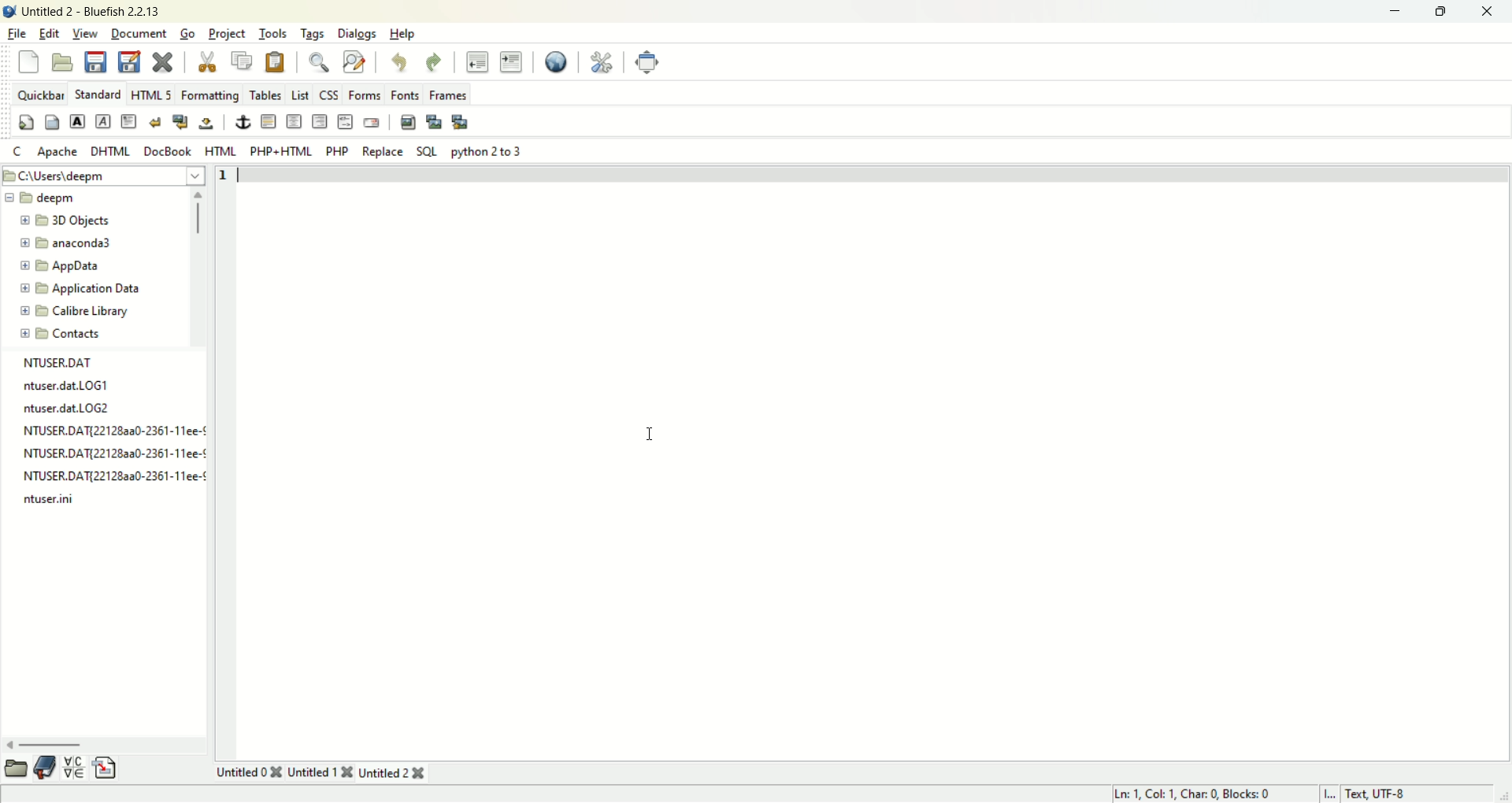 This screenshot has width=1512, height=803. Describe the element at coordinates (158, 122) in the screenshot. I see `break` at that location.